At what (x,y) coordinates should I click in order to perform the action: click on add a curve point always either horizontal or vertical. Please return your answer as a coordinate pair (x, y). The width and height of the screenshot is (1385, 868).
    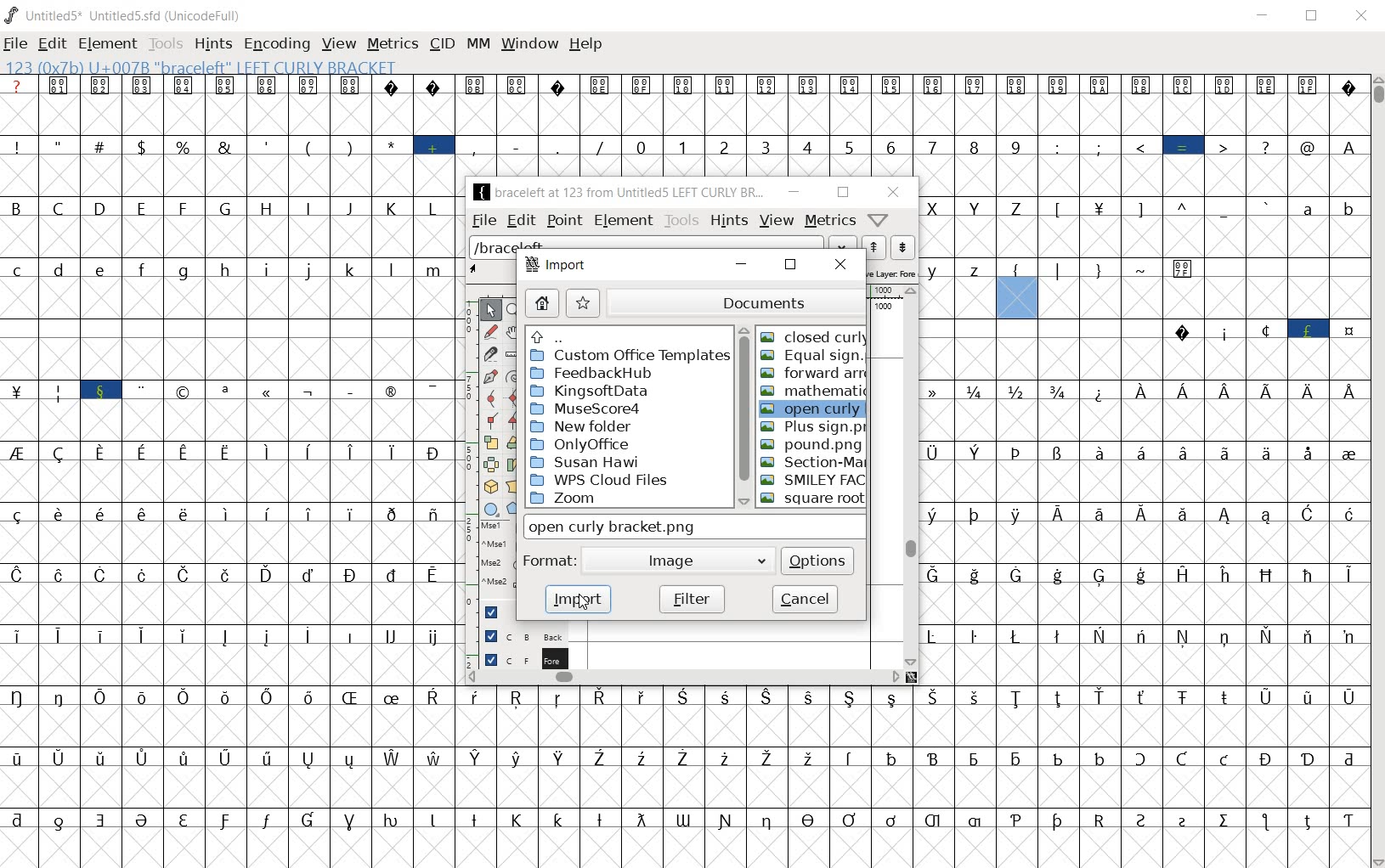
    Looking at the image, I should click on (516, 397).